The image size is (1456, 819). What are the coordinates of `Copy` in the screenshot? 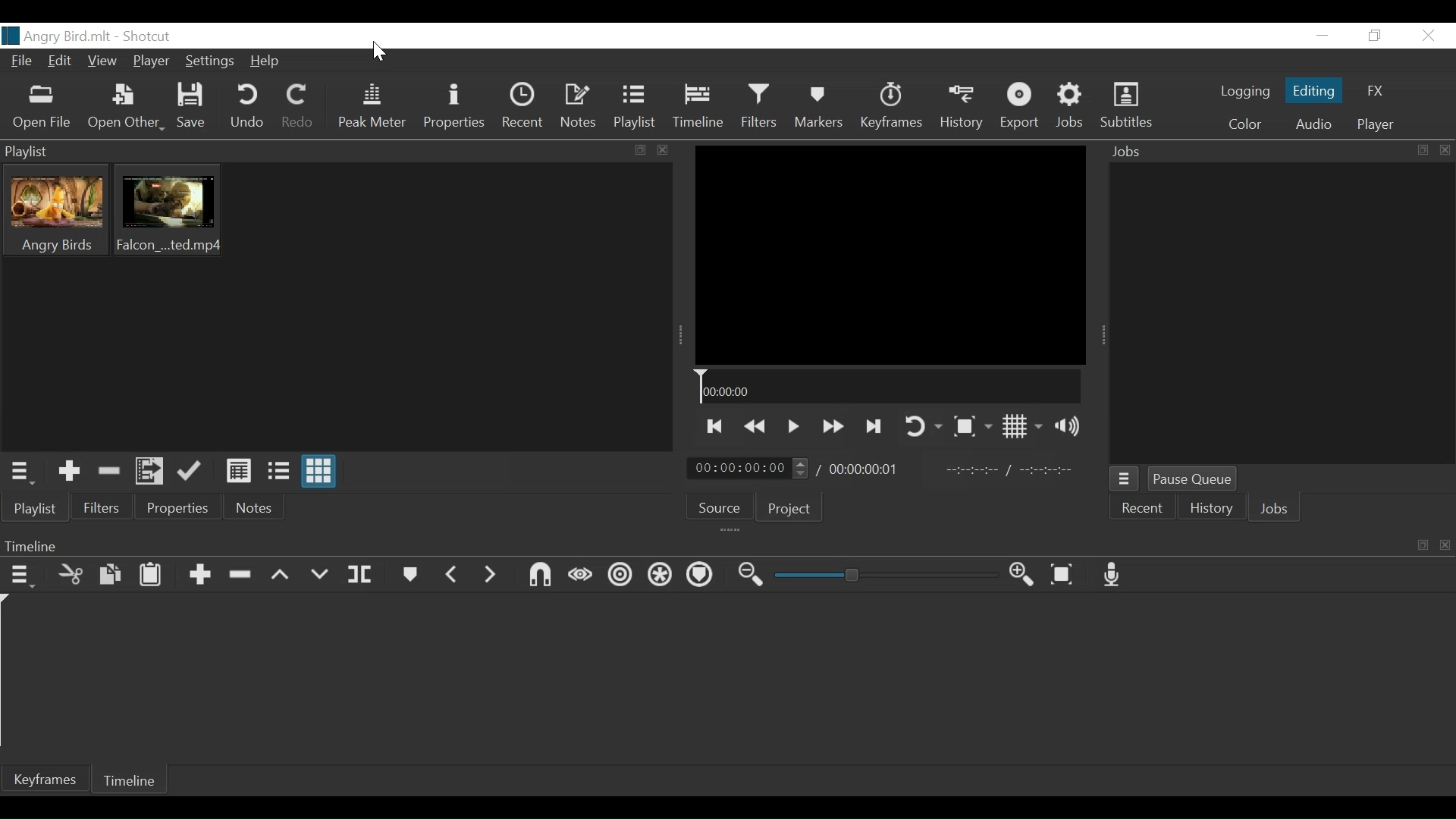 It's located at (113, 575).